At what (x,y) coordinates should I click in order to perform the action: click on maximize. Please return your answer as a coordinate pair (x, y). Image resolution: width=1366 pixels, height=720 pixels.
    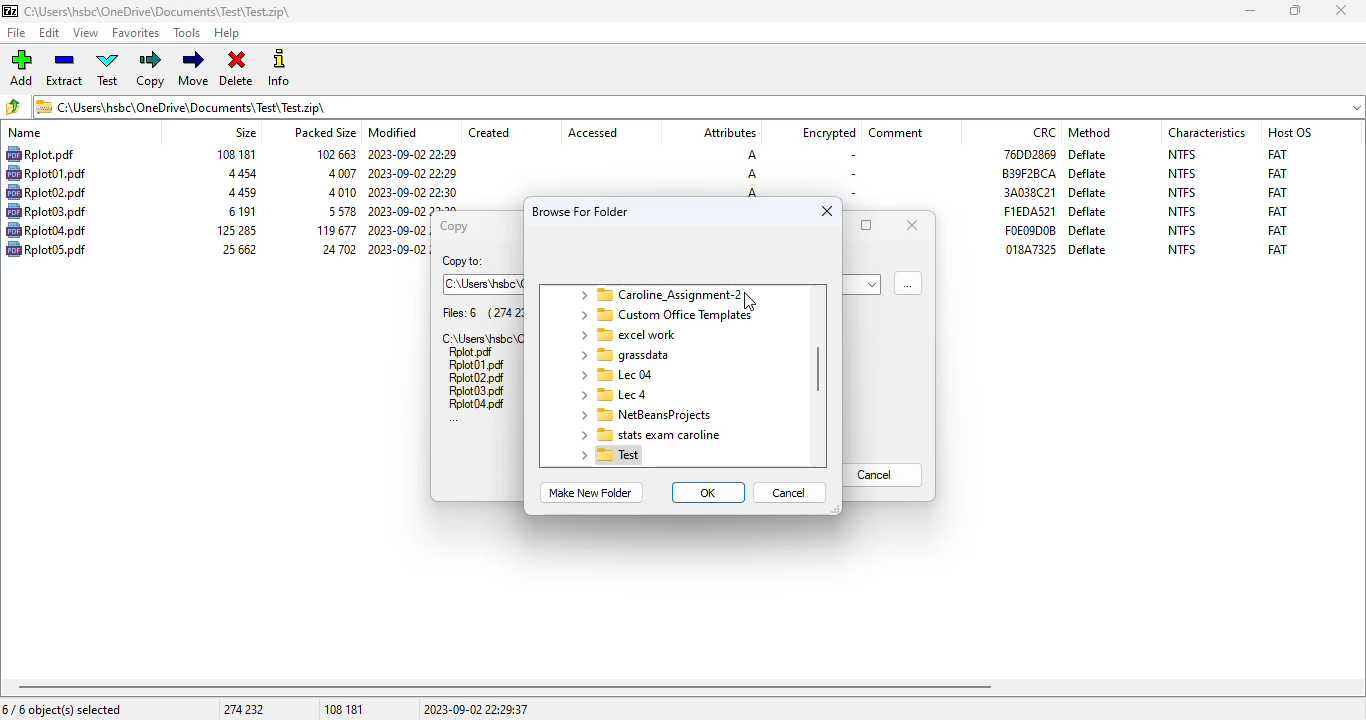
    Looking at the image, I should click on (1295, 11).